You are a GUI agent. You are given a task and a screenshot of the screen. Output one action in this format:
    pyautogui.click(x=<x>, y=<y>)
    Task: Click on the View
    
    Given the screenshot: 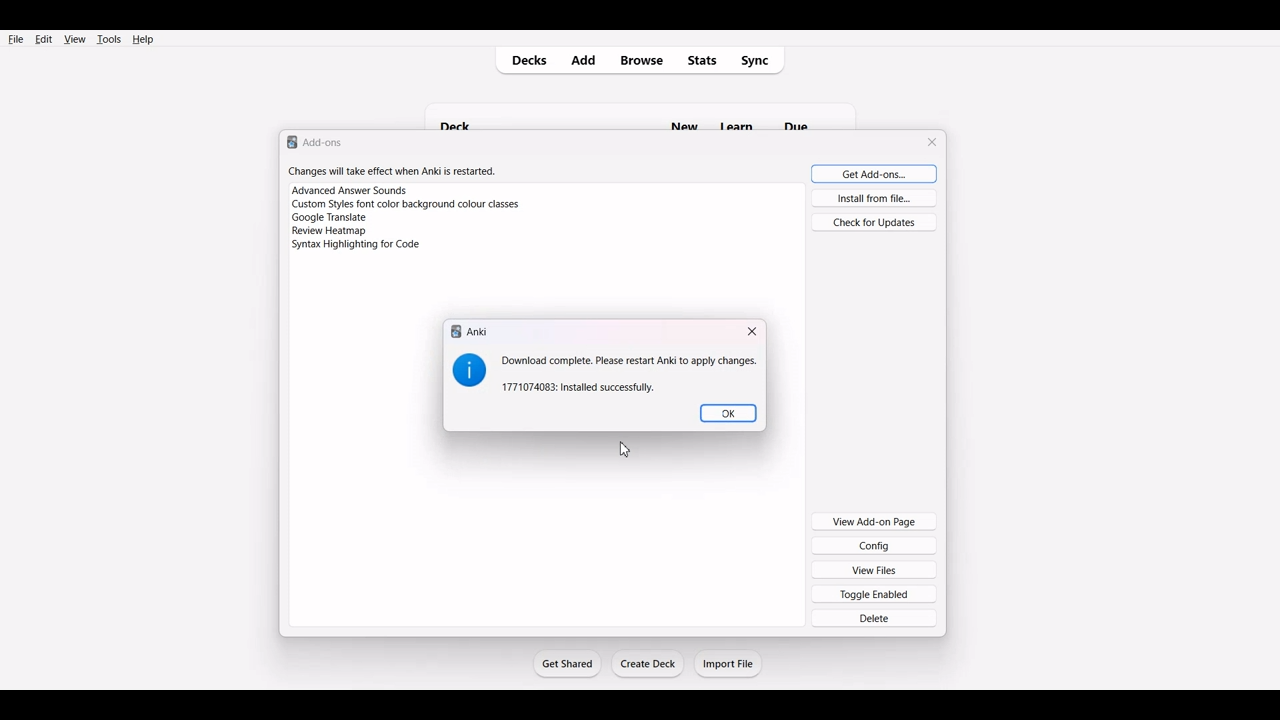 What is the action you would take?
    pyautogui.click(x=74, y=39)
    